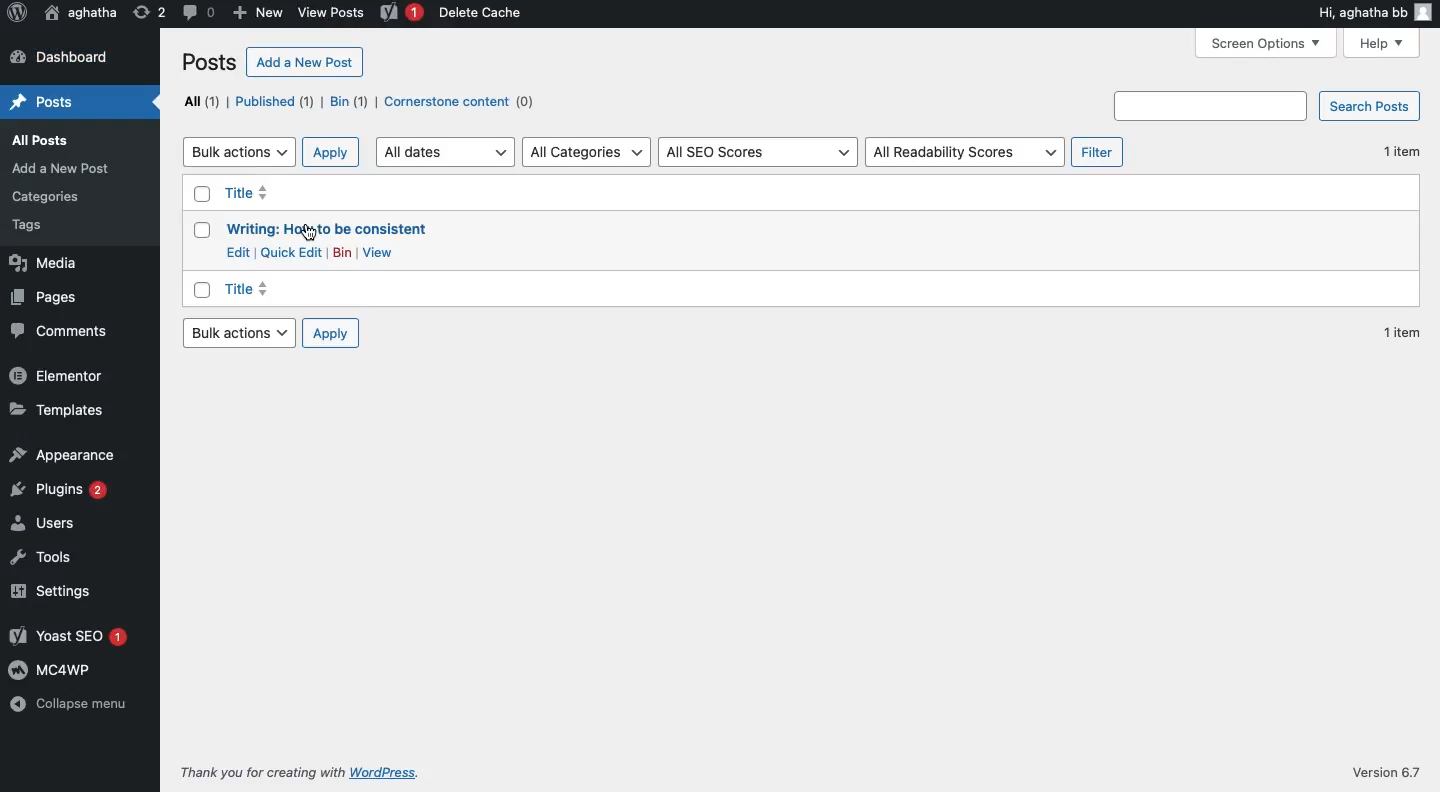 The image size is (1440, 792). What do you see at coordinates (380, 252) in the screenshot?
I see `View` at bounding box center [380, 252].